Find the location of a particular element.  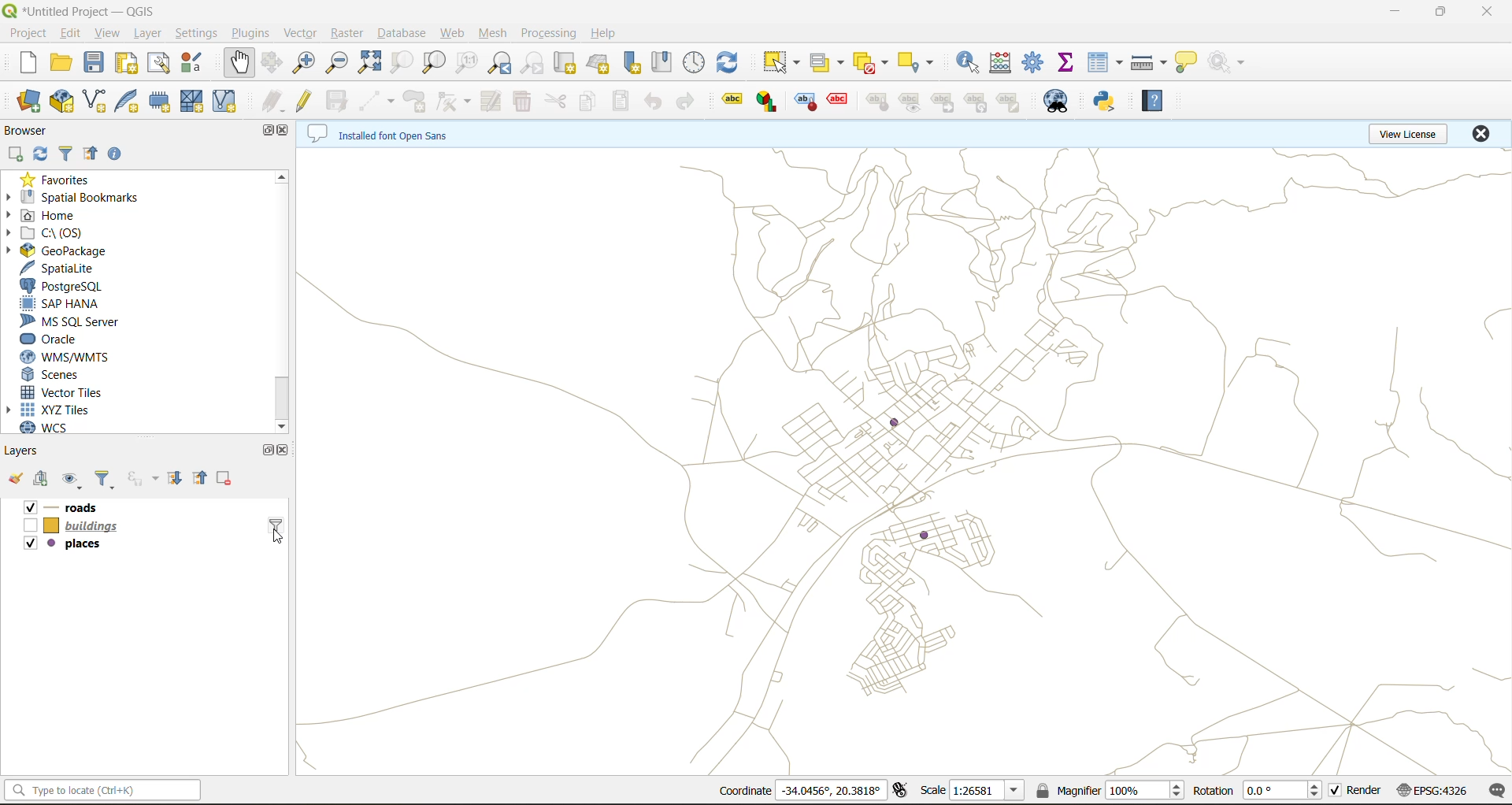

add polygon is located at coordinates (417, 102).